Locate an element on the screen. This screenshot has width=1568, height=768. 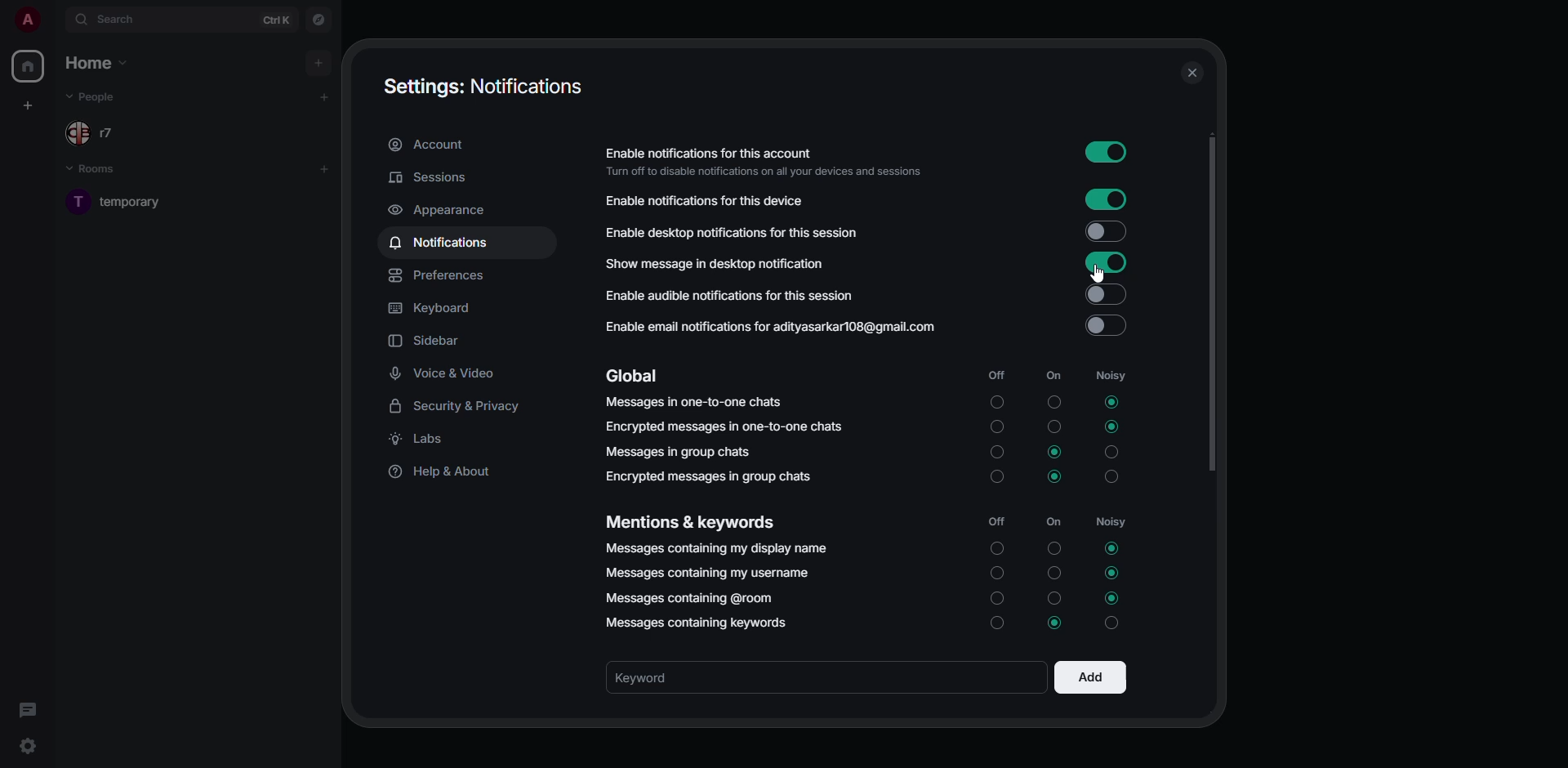
selected is located at coordinates (1056, 452).